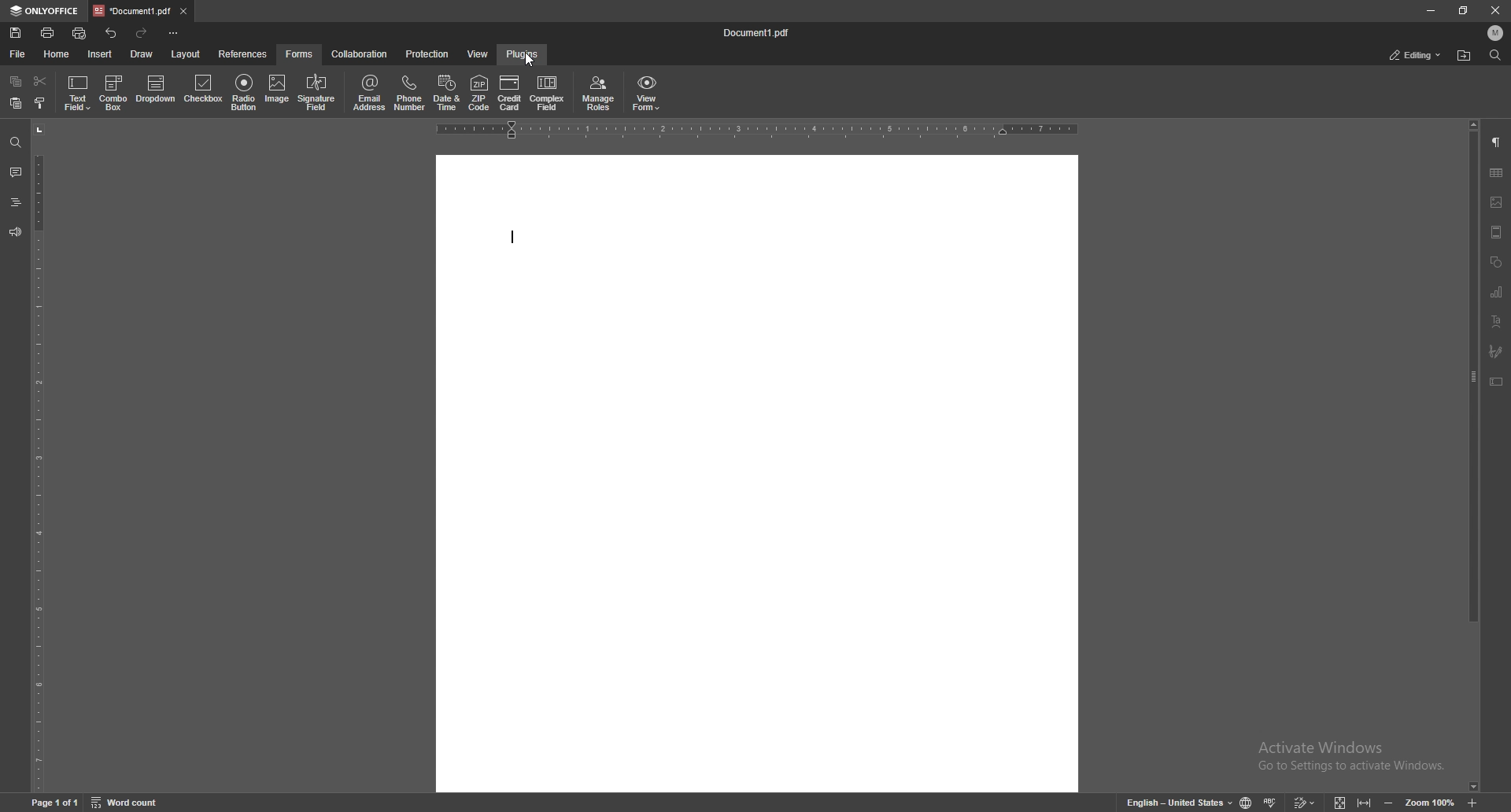 Image resolution: width=1511 pixels, height=812 pixels. What do you see at coordinates (427, 54) in the screenshot?
I see `protection` at bounding box center [427, 54].